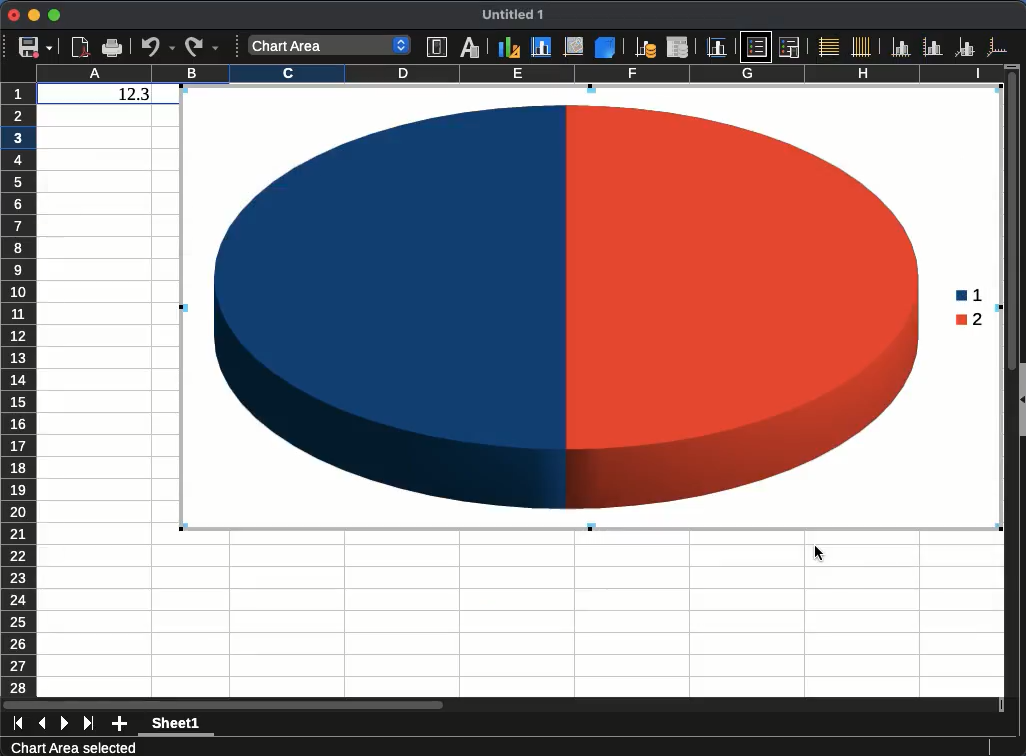 This screenshot has height=756, width=1026. What do you see at coordinates (13, 14) in the screenshot?
I see `close` at bounding box center [13, 14].